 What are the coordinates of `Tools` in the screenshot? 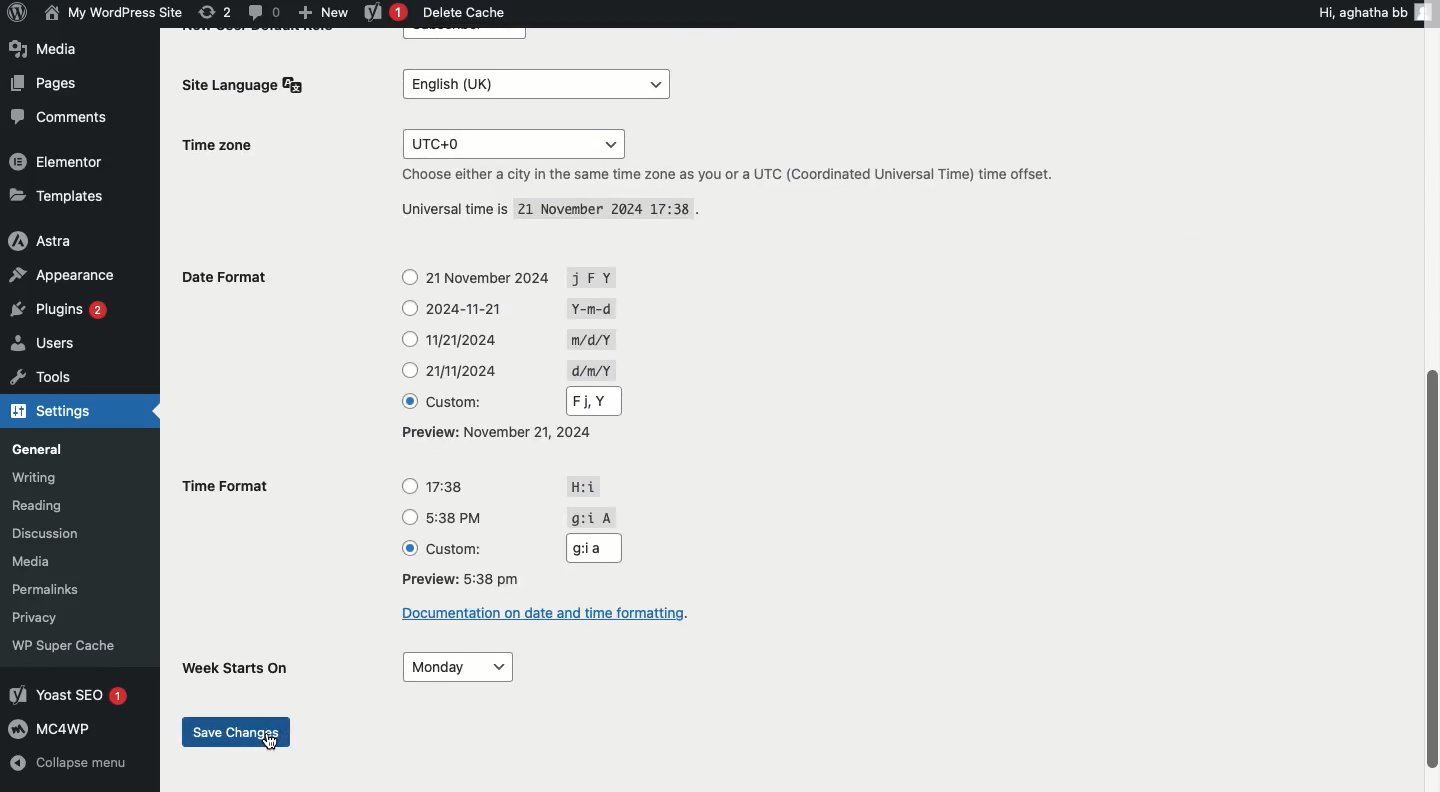 It's located at (62, 376).